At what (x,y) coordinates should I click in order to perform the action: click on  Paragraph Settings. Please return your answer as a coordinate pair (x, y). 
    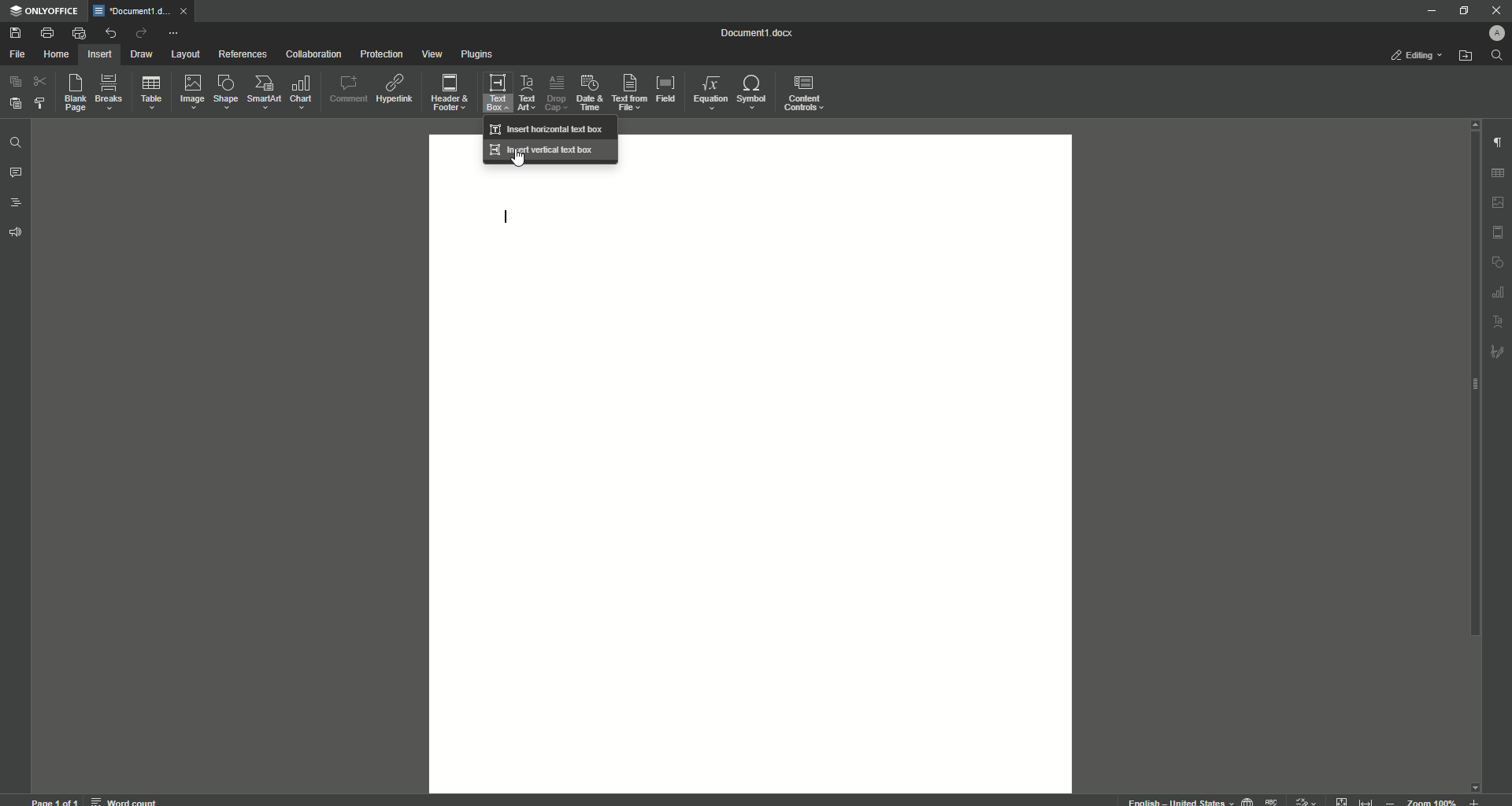
    Looking at the image, I should click on (1496, 142).